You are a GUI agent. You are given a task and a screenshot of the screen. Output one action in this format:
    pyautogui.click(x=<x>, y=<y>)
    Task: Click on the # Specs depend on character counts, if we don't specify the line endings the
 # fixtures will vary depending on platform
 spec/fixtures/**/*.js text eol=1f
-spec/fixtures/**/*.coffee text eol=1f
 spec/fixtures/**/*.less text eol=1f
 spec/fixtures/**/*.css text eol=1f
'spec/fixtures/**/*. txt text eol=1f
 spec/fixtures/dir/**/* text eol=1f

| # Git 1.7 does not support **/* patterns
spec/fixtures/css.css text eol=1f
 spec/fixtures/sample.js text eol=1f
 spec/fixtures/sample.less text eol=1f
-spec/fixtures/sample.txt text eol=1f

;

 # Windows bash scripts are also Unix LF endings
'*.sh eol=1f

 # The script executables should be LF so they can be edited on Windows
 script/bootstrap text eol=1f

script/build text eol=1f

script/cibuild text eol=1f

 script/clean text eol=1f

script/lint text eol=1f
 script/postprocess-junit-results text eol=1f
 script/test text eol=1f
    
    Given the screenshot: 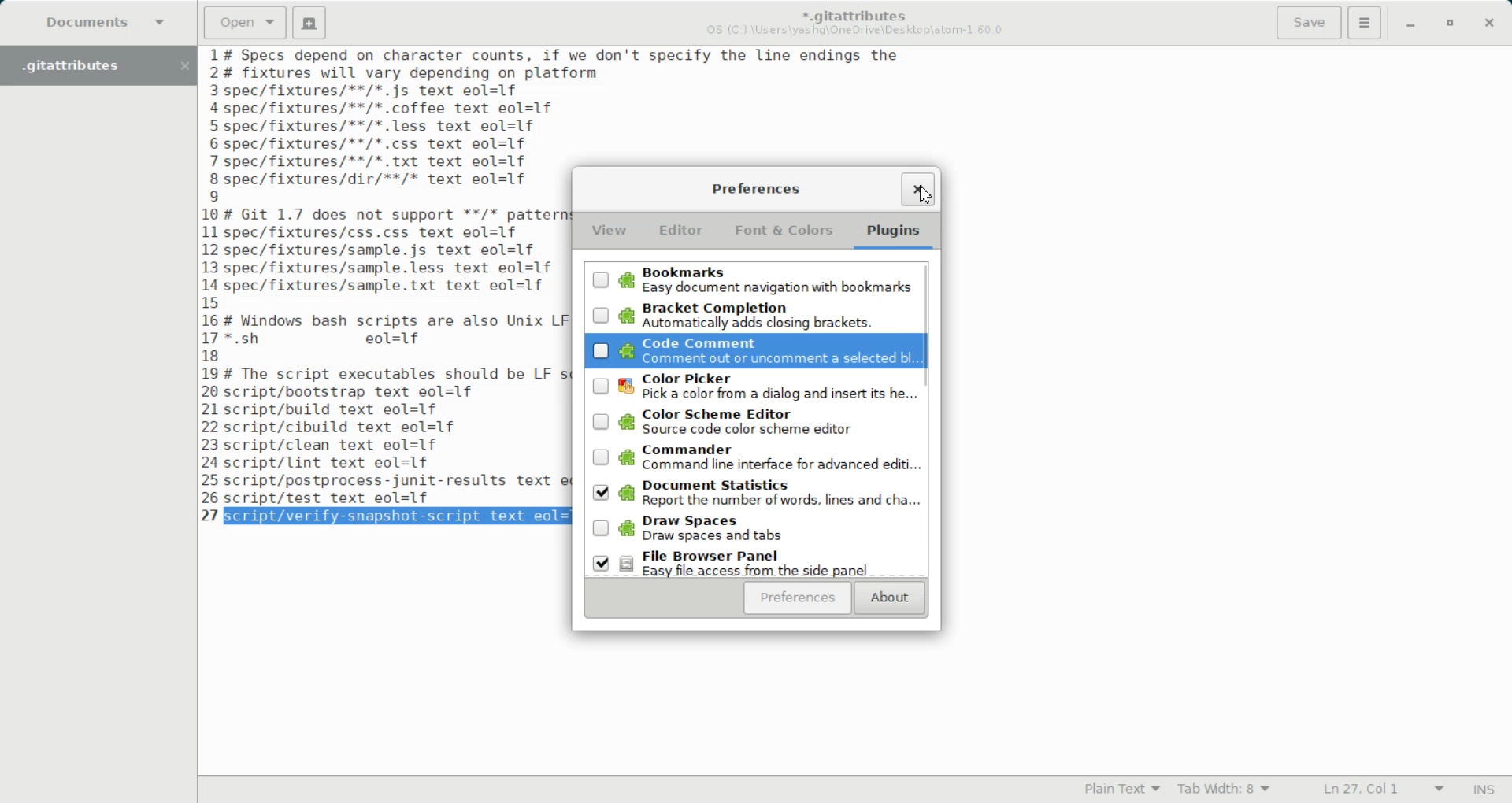 What is the action you would take?
    pyautogui.click(x=393, y=276)
    